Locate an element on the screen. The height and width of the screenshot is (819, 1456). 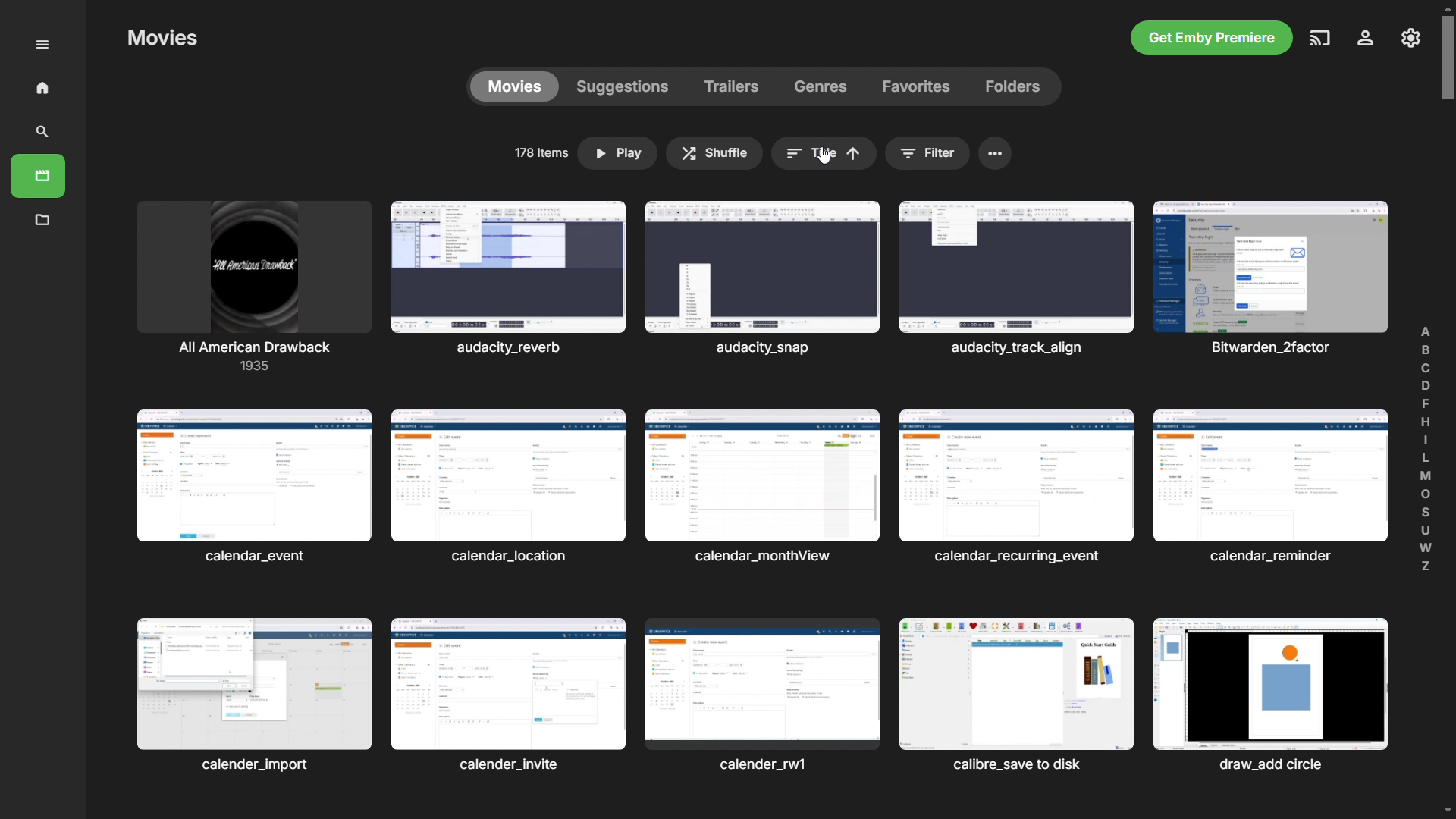
 is located at coordinates (508, 697).